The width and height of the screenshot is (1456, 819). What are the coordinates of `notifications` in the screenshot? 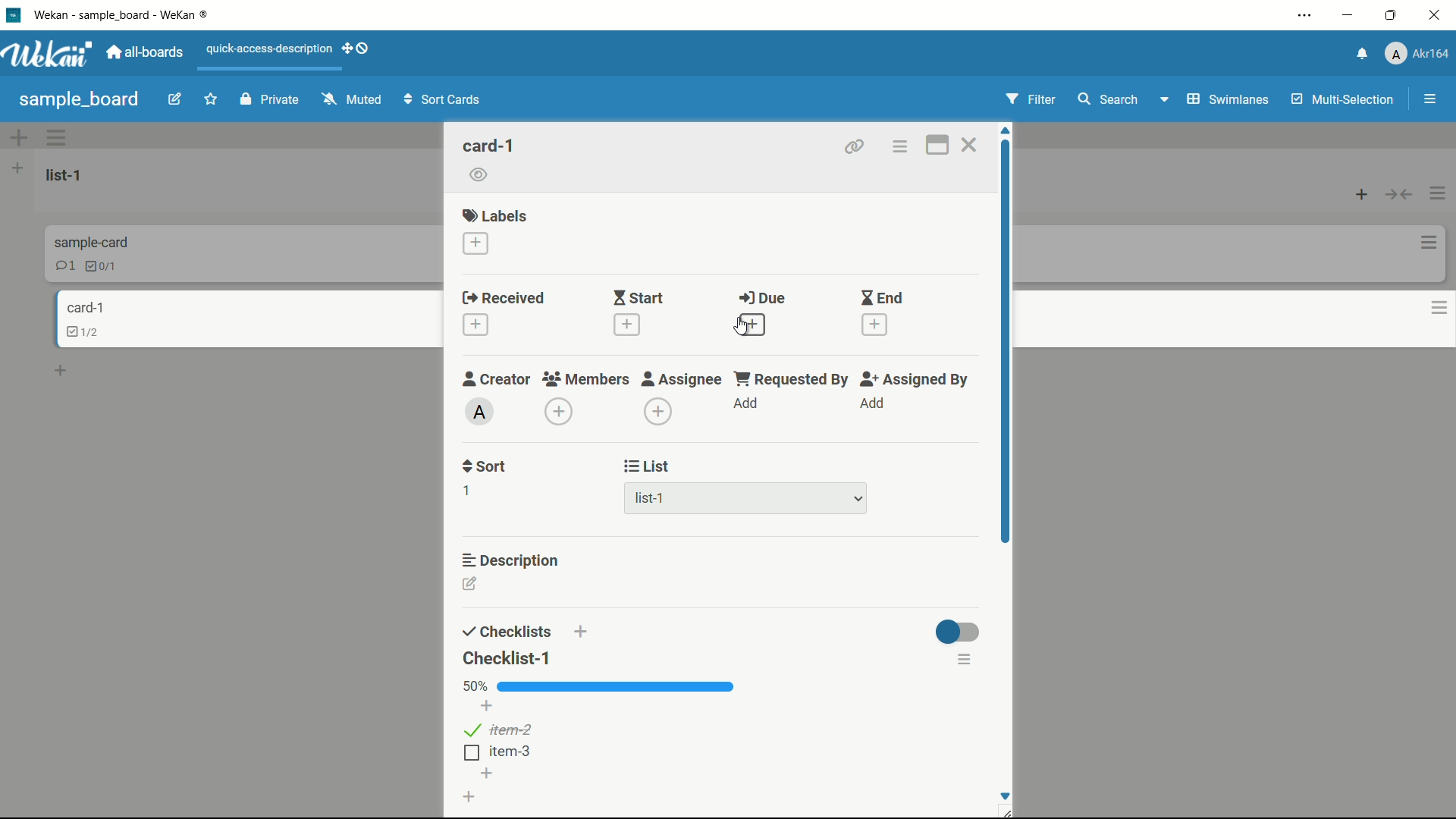 It's located at (1356, 57).